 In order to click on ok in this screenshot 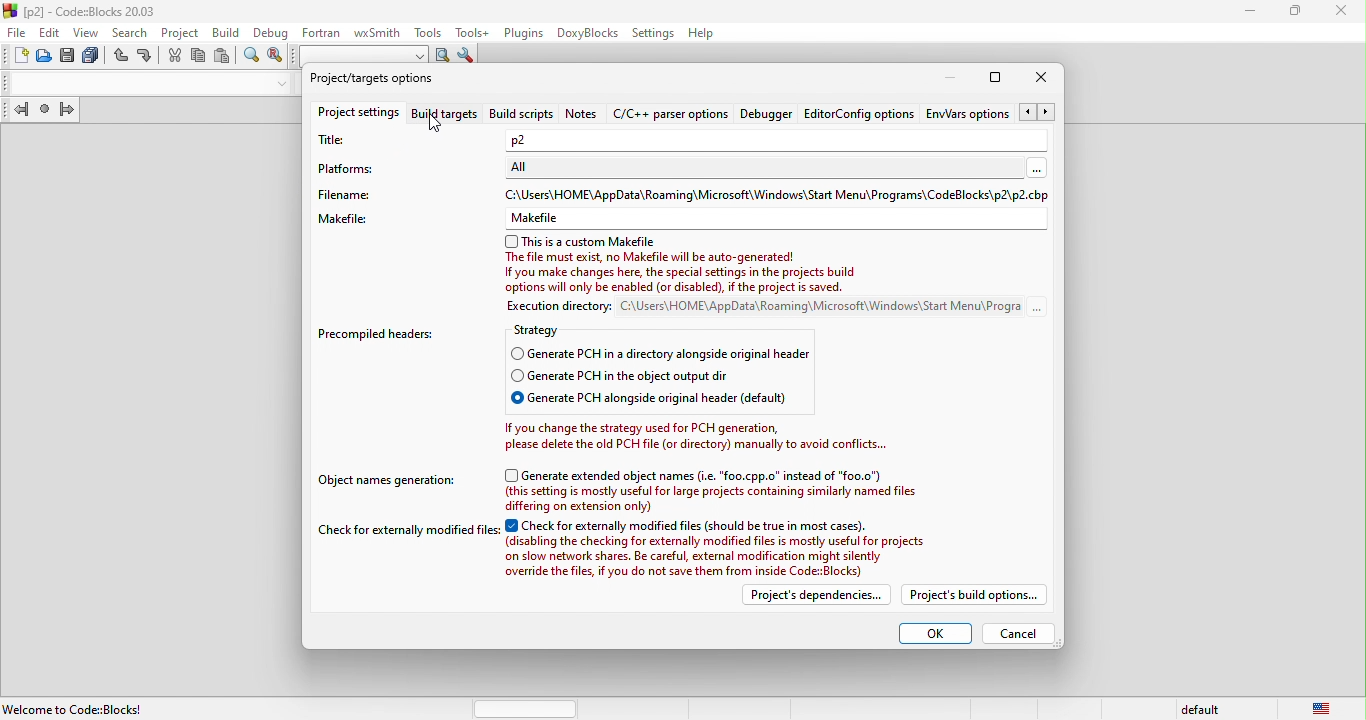, I will do `click(934, 633)`.